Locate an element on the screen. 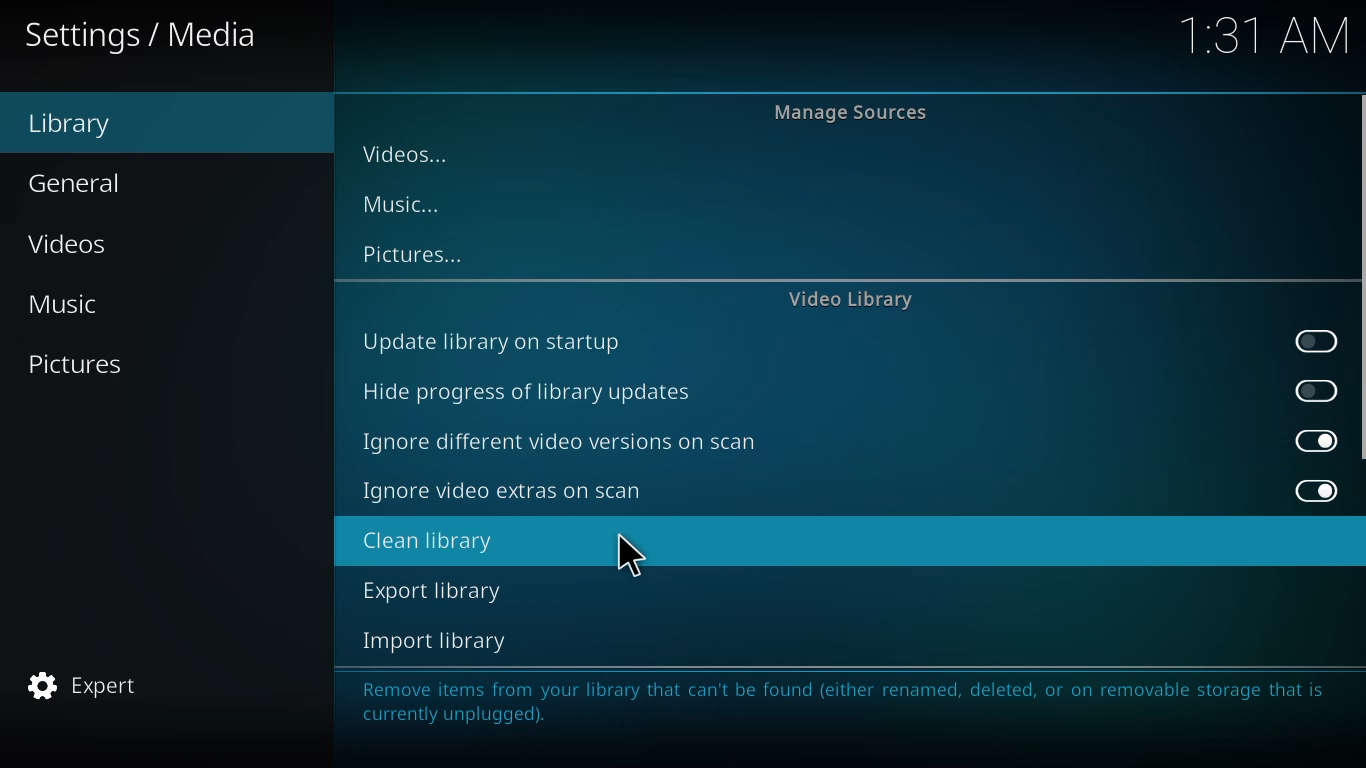 The height and width of the screenshot is (768, 1366). update library on startup is located at coordinates (497, 339).